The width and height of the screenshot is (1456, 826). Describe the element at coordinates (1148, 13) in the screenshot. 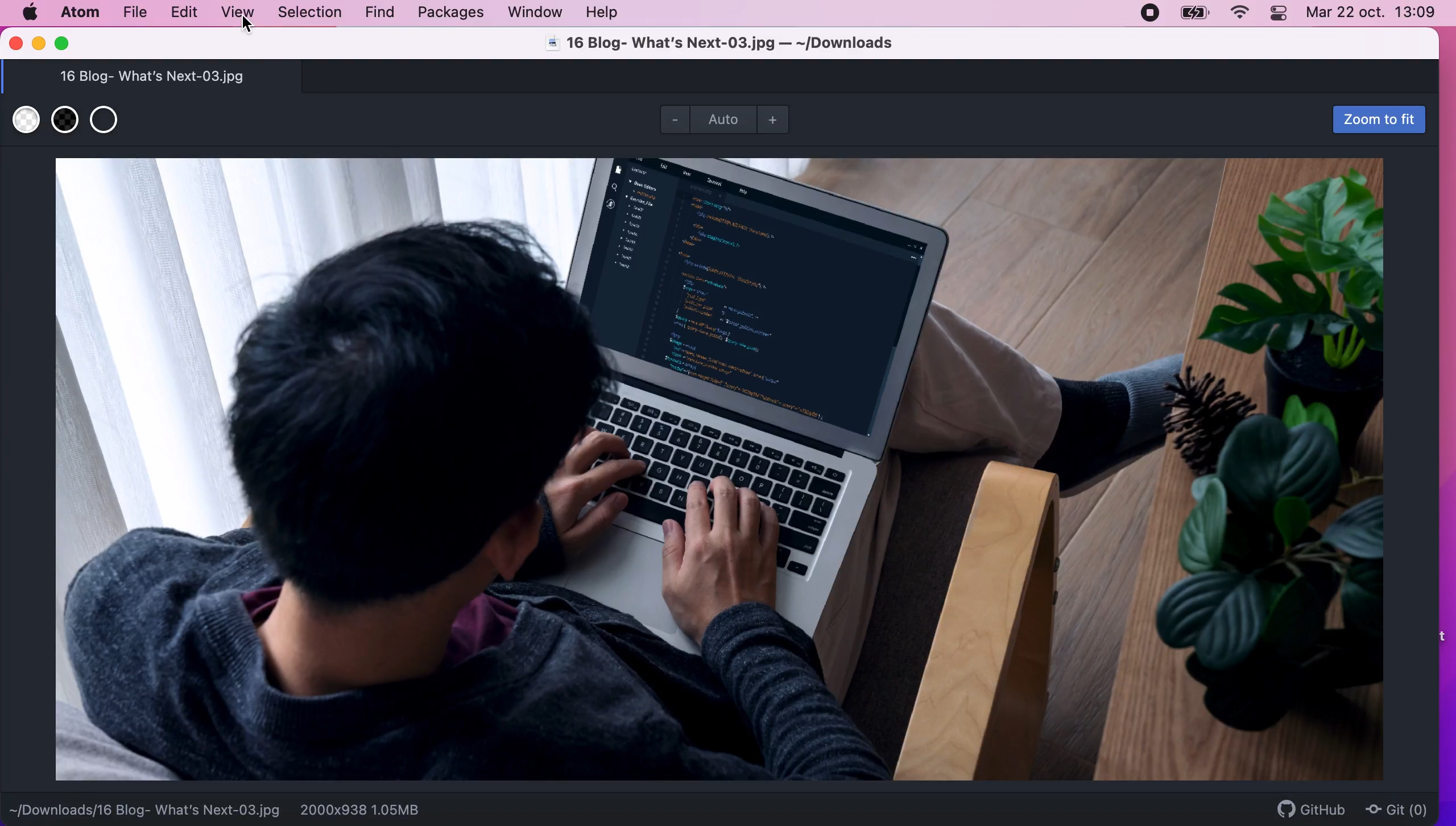

I see `recording stopped` at that location.